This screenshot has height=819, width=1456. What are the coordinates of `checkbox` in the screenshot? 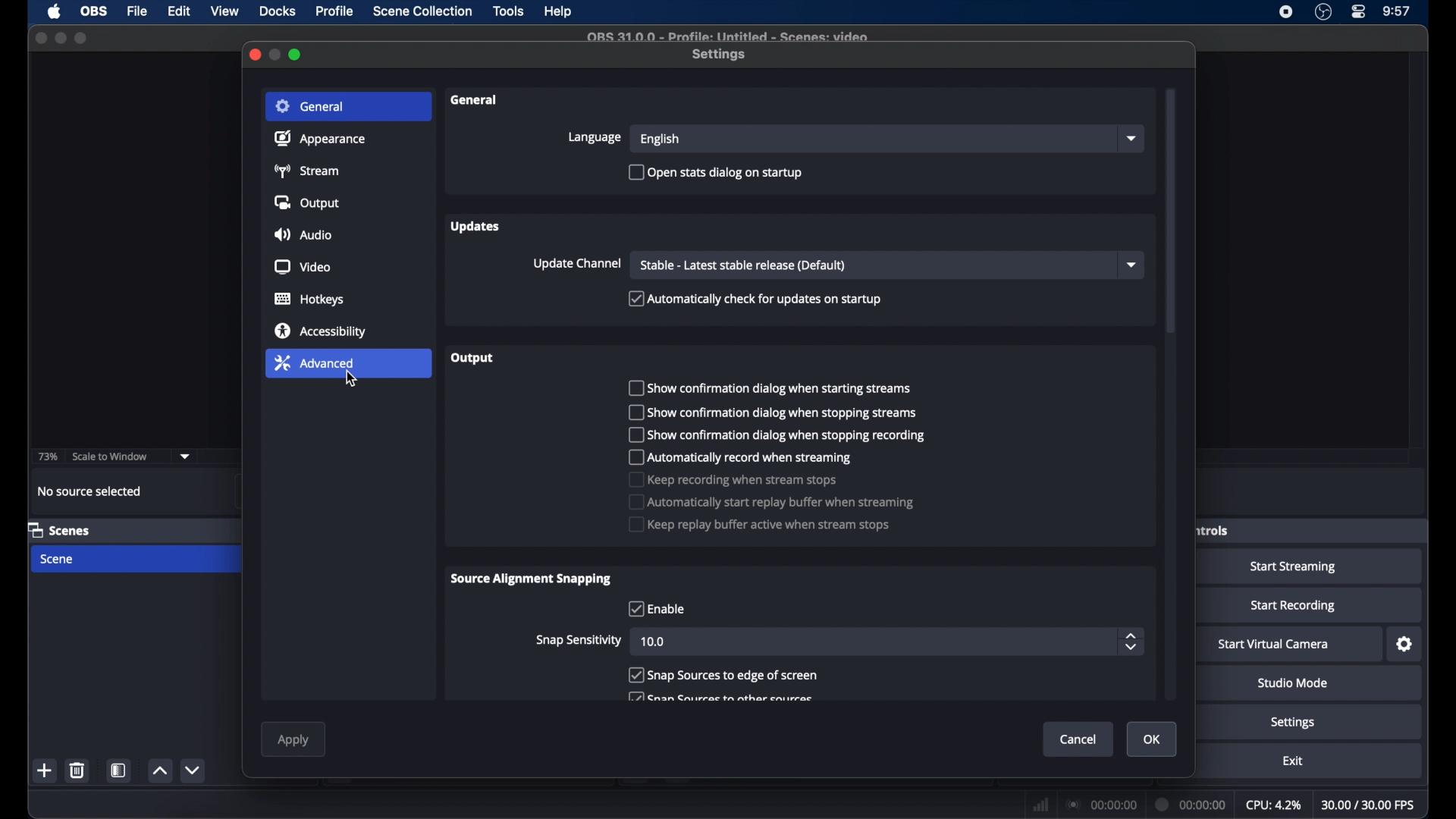 It's located at (742, 457).